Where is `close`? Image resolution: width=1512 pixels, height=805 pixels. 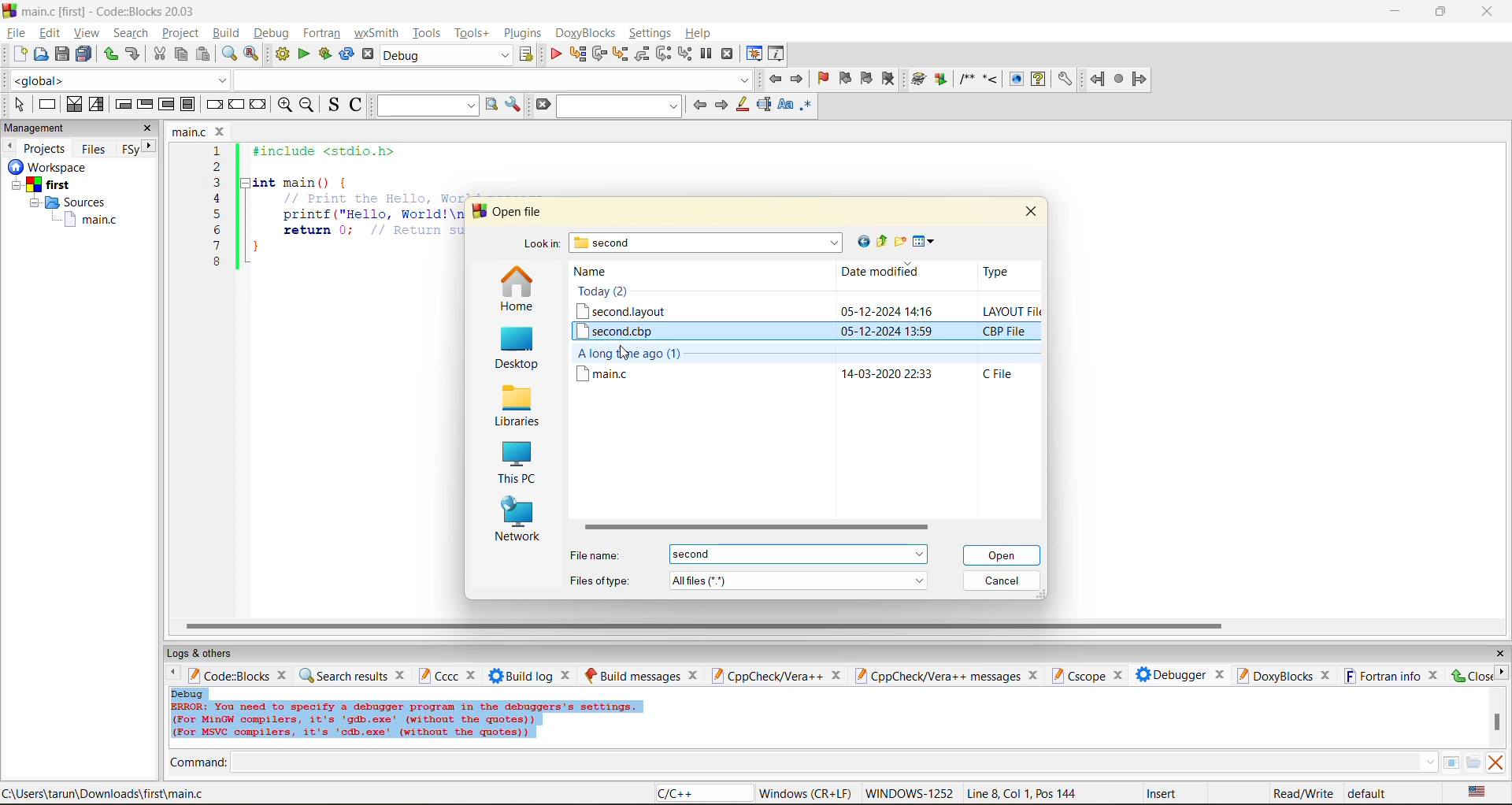 close is located at coordinates (1117, 676).